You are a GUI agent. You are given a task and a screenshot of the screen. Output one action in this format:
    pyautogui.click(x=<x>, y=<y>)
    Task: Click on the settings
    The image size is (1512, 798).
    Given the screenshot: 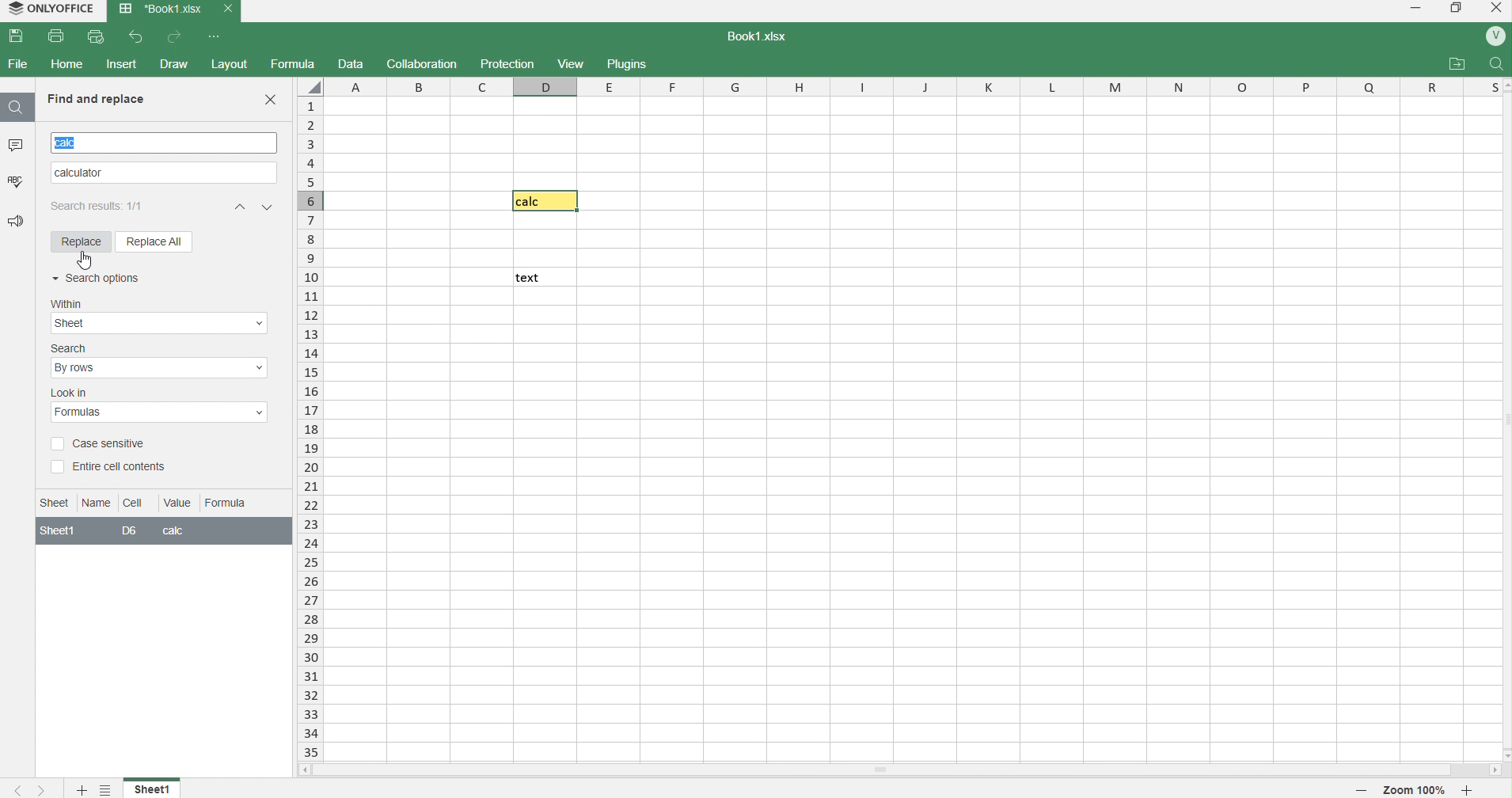 What is the action you would take?
    pyautogui.click(x=107, y=788)
    